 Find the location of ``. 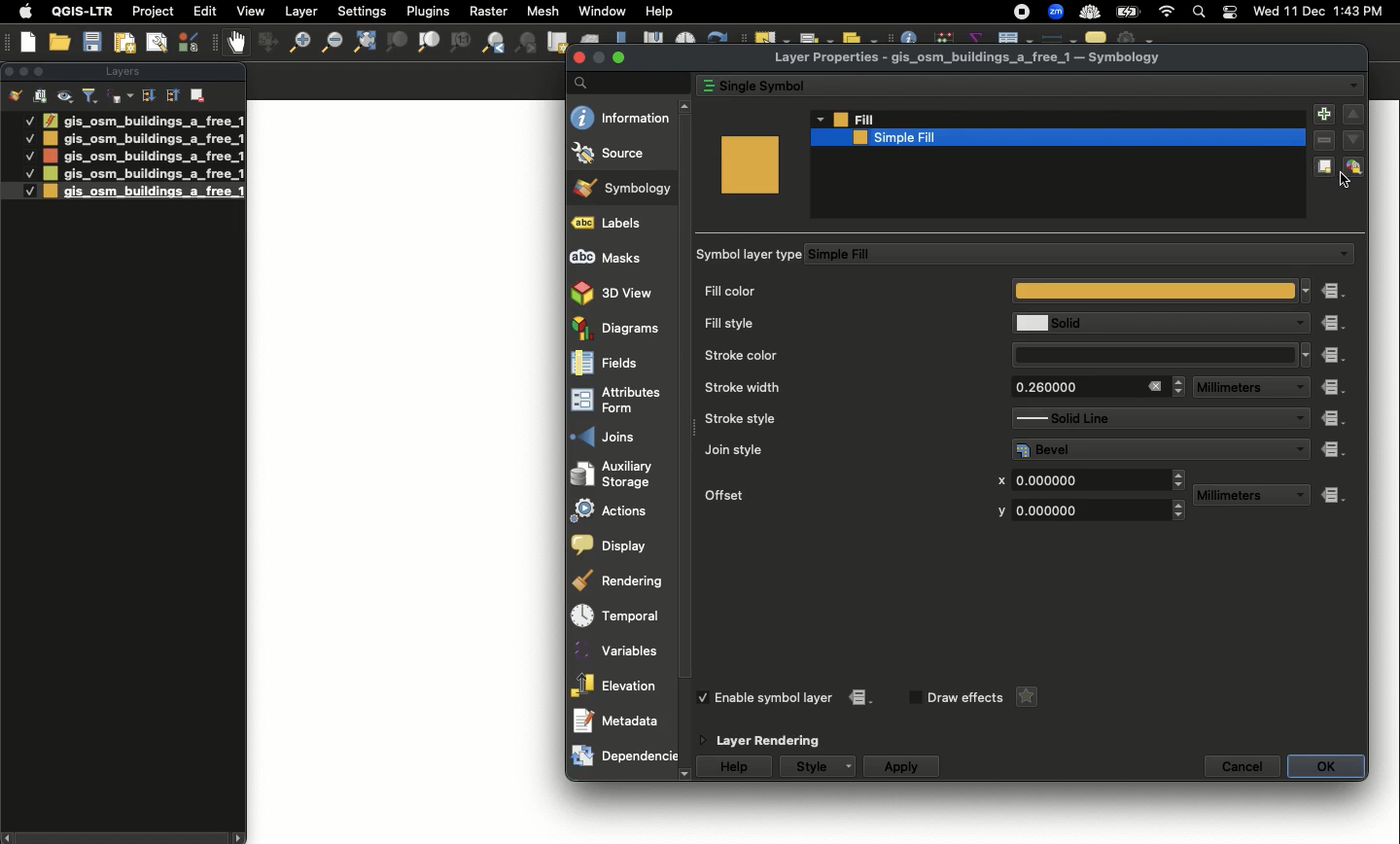

 is located at coordinates (1333, 448).